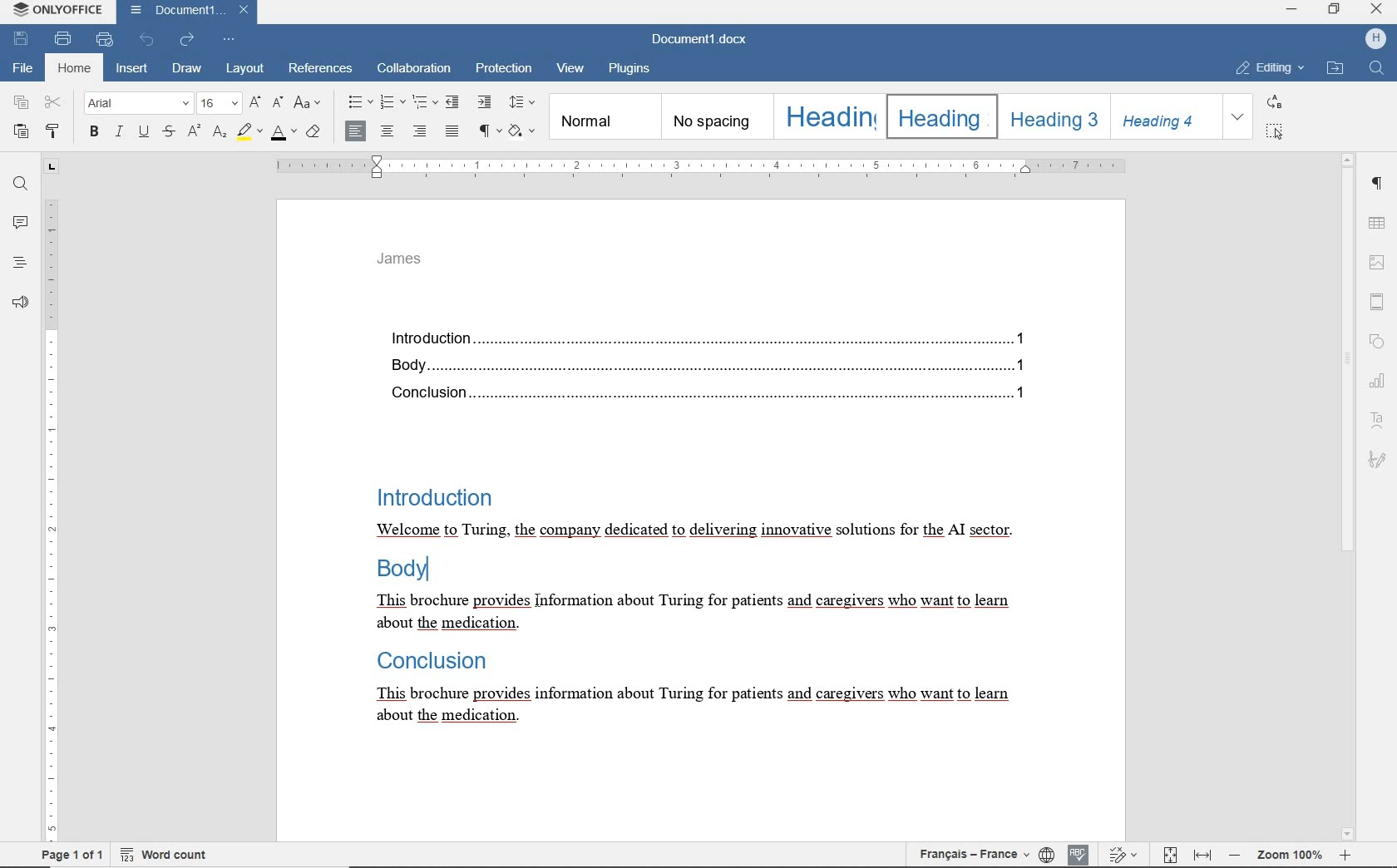 Image resolution: width=1397 pixels, height=868 pixels. What do you see at coordinates (403, 264) in the screenshot?
I see `HEADER TEXT` at bounding box center [403, 264].